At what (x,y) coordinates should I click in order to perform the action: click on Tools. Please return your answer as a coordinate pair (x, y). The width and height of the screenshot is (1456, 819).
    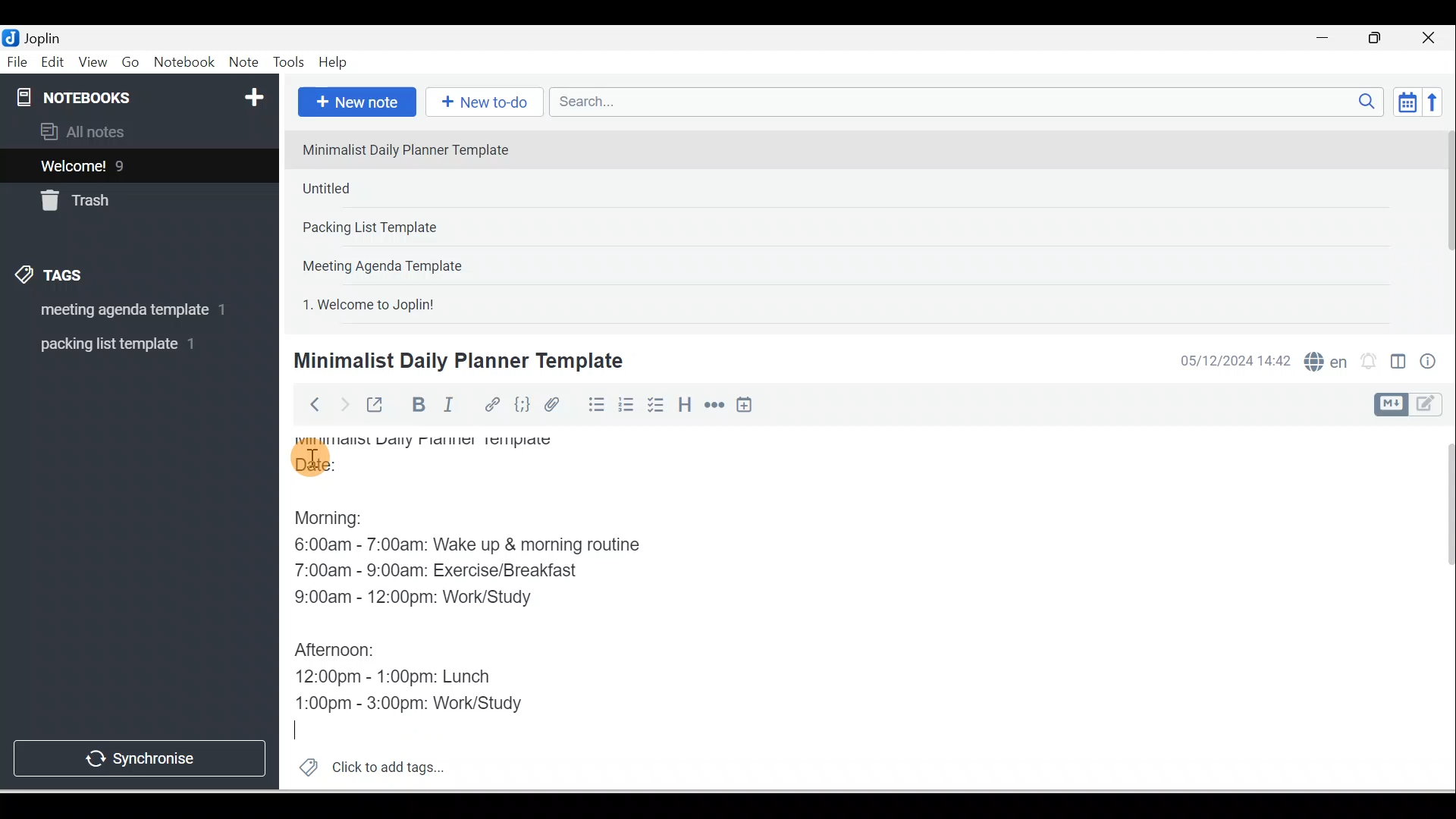
    Looking at the image, I should click on (288, 62).